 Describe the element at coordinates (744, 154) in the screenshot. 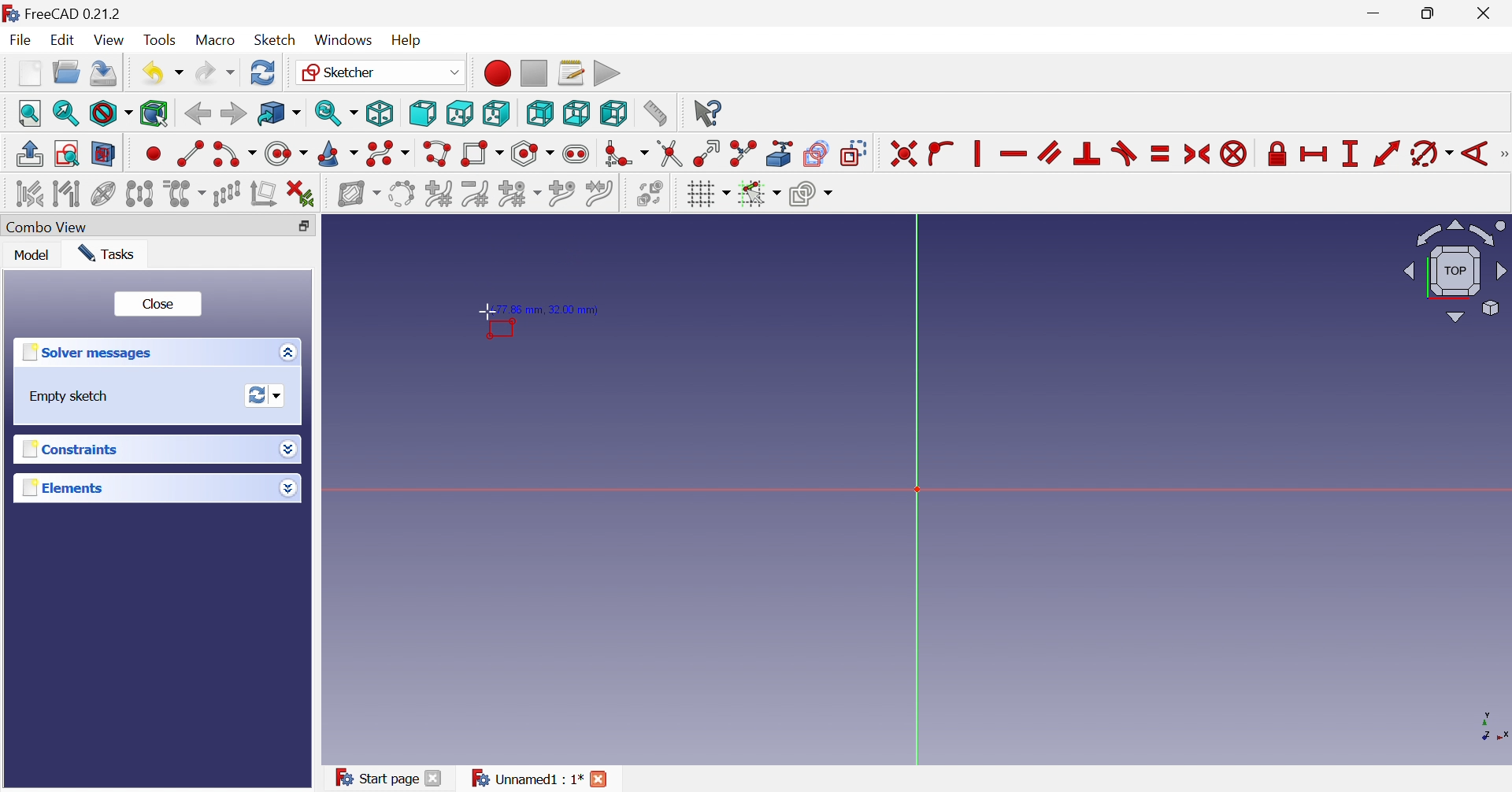

I see `Split edge` at that location.